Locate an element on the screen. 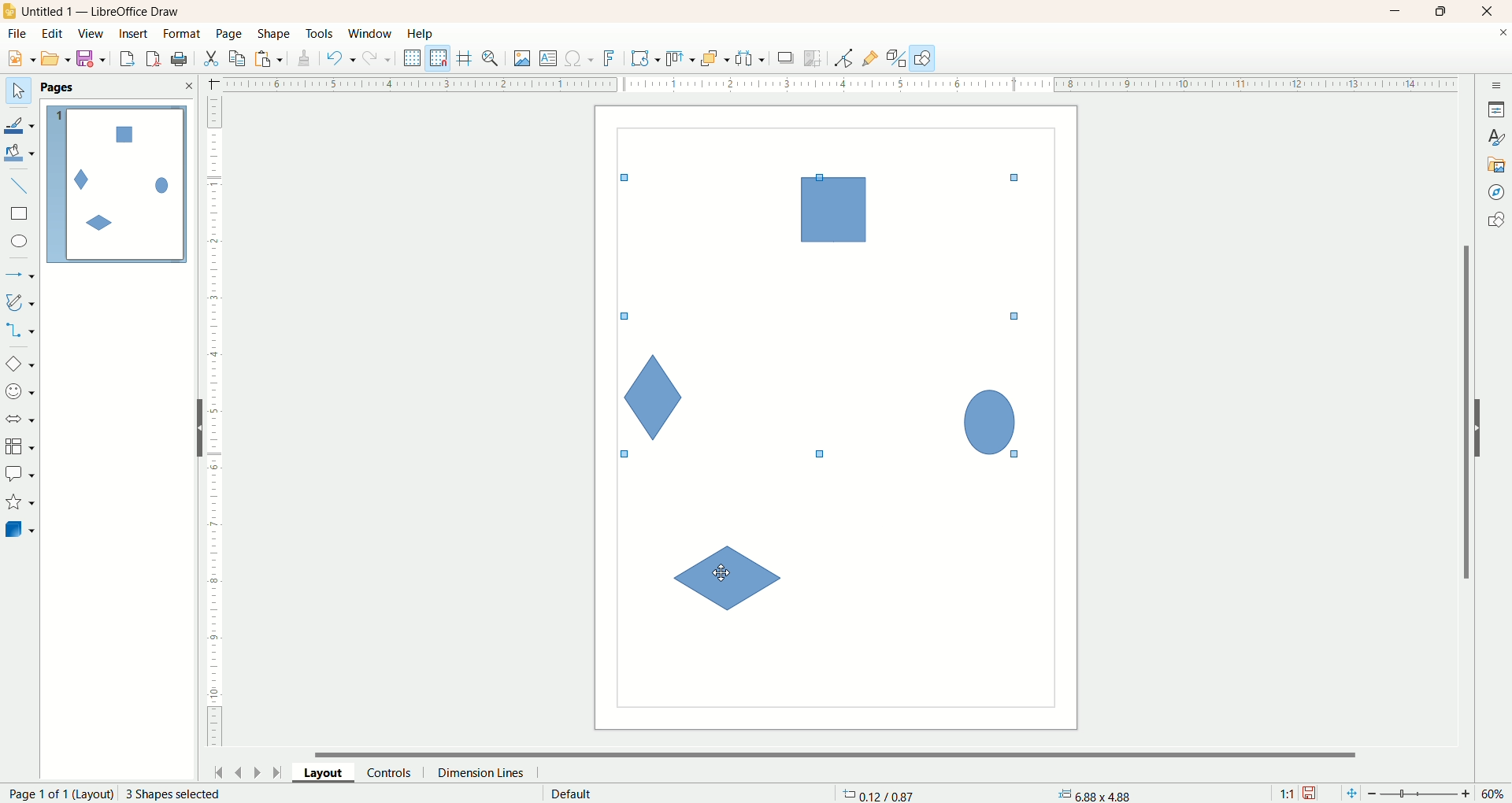 This screenshot has width=1512, height=803. gluepoint function is located at coordinates (870, 59).